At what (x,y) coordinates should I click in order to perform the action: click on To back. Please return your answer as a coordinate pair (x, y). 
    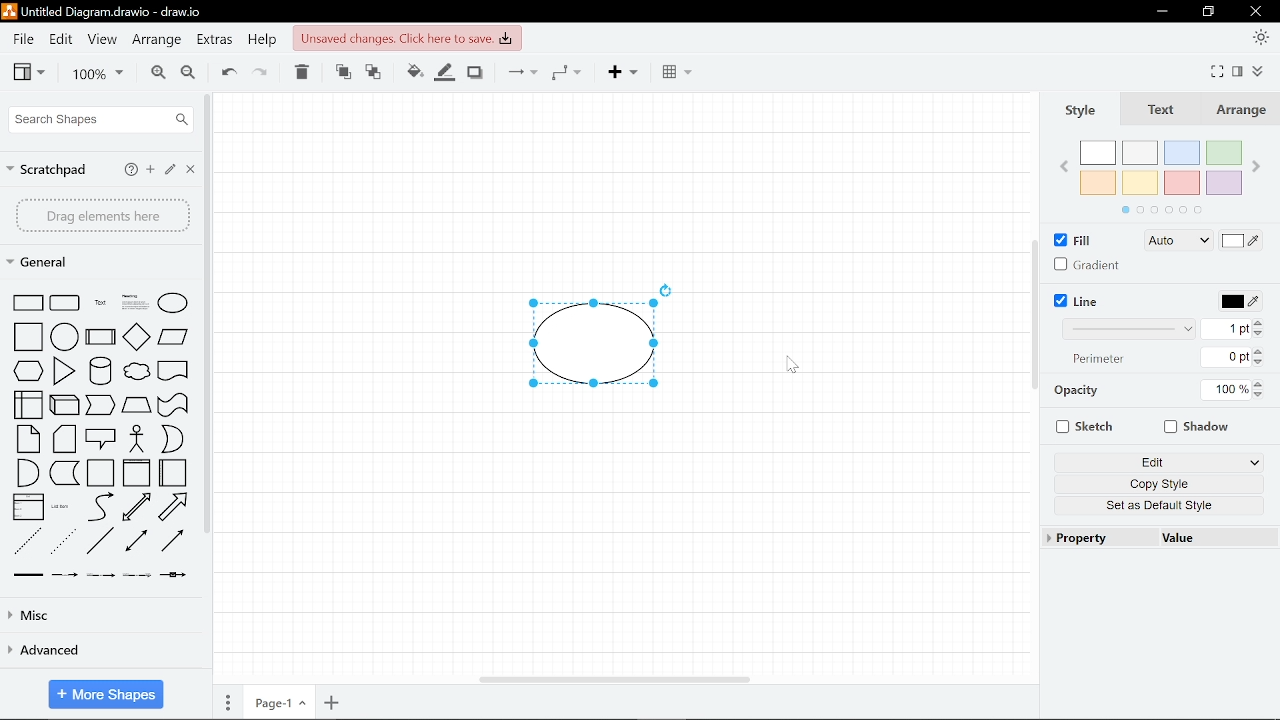
    Looking at the image, I should click on (375, 72).